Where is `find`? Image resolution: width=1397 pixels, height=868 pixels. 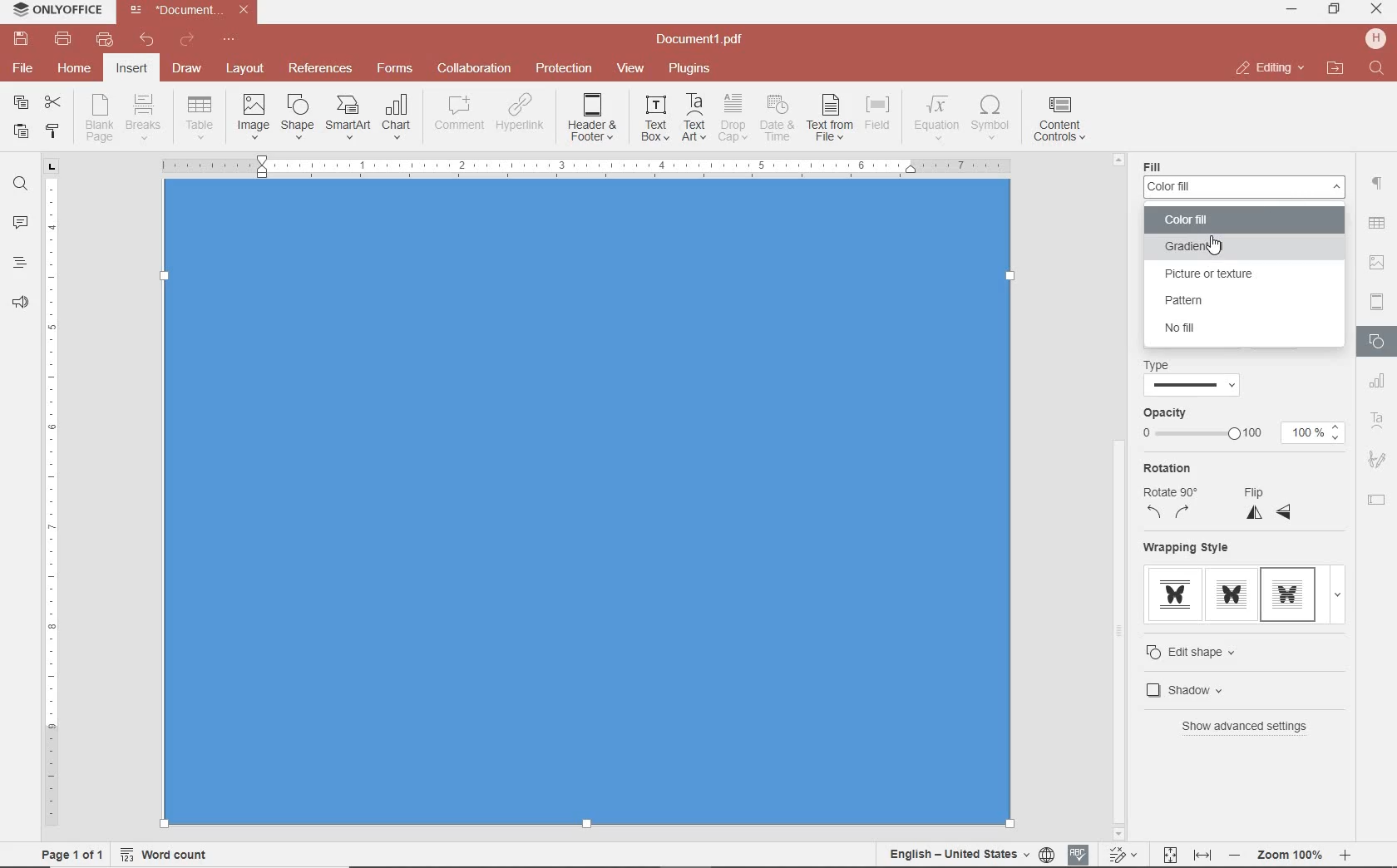 find is located at coordinates (20, 182).